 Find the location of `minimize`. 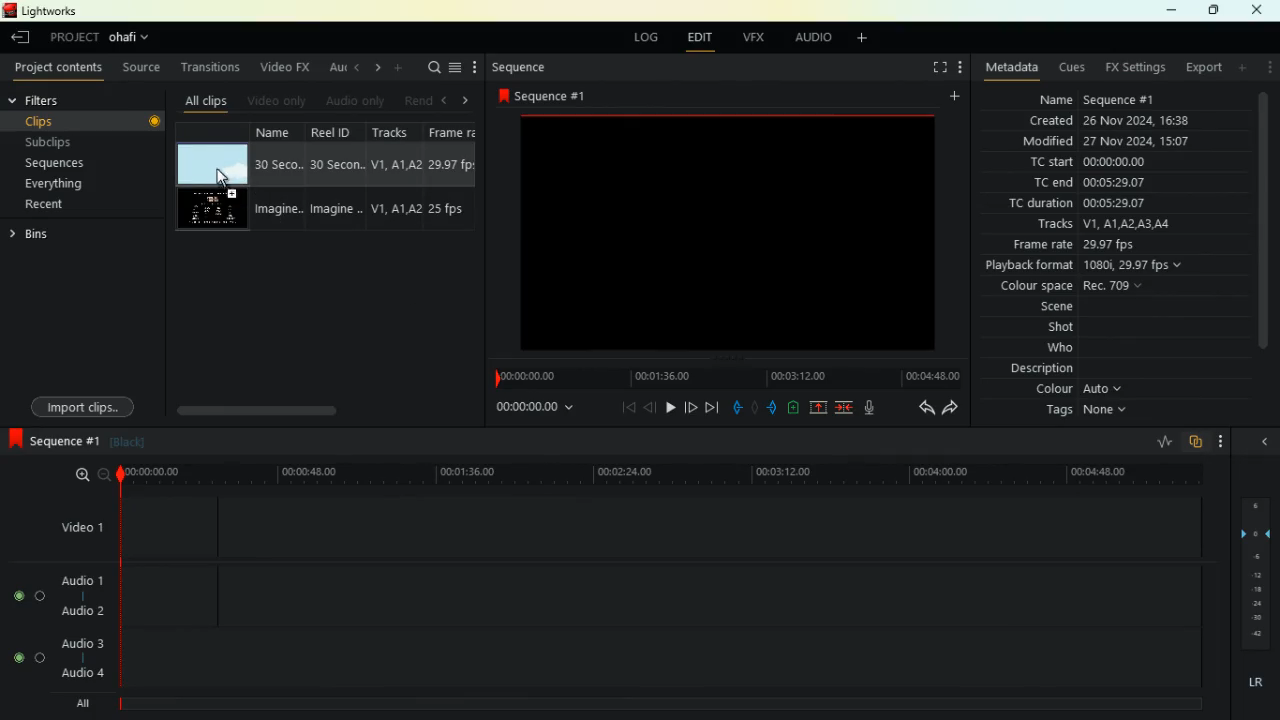

minimize is located at coordinates (1174, 11).